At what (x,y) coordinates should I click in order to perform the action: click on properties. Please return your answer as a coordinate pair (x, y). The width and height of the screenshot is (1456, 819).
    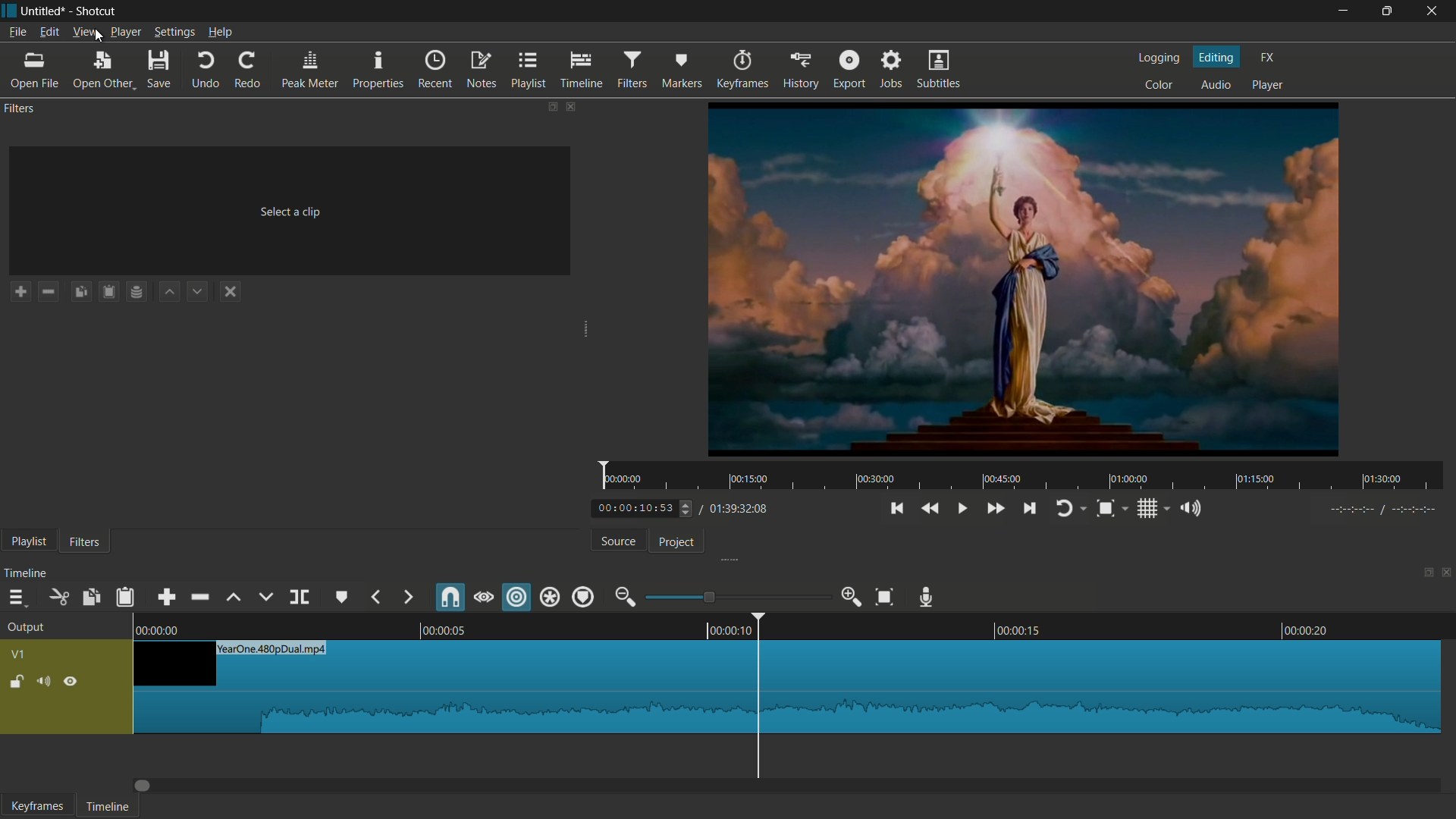
    Looking at the image, I should click on (380, 71).